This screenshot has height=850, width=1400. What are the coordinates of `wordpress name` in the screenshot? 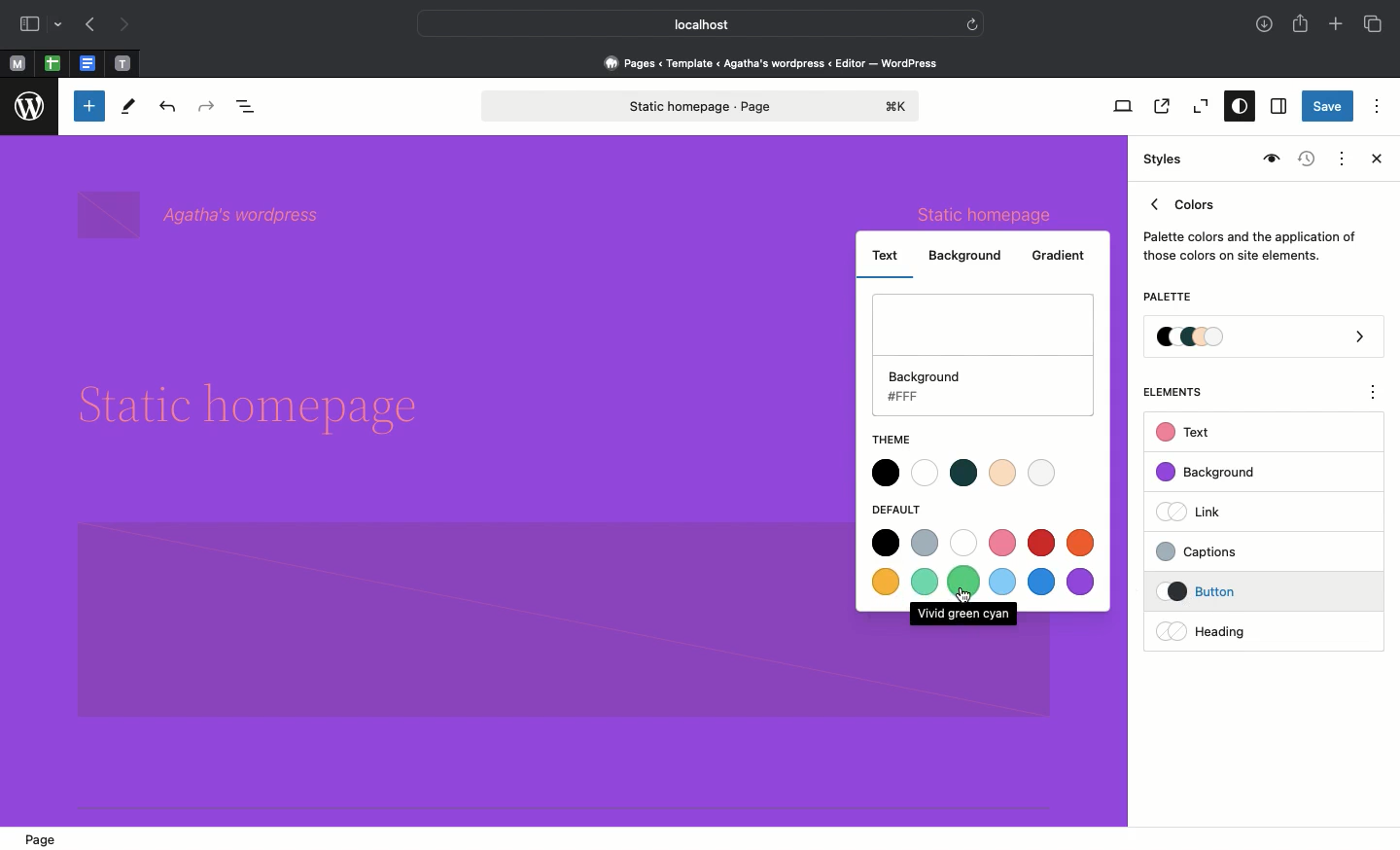 It's located at (204, 214).